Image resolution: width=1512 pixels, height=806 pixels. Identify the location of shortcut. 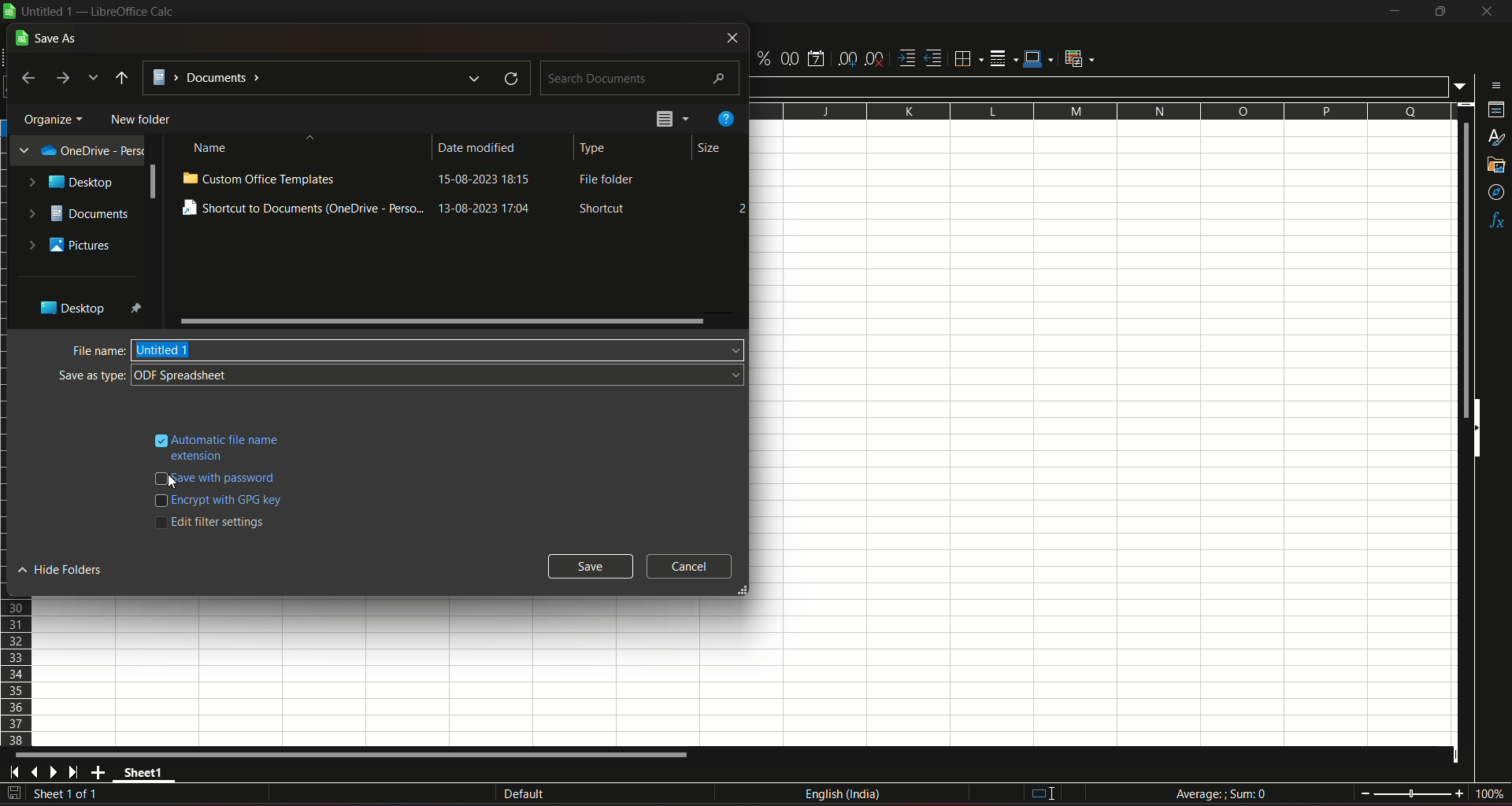
(604, 209).